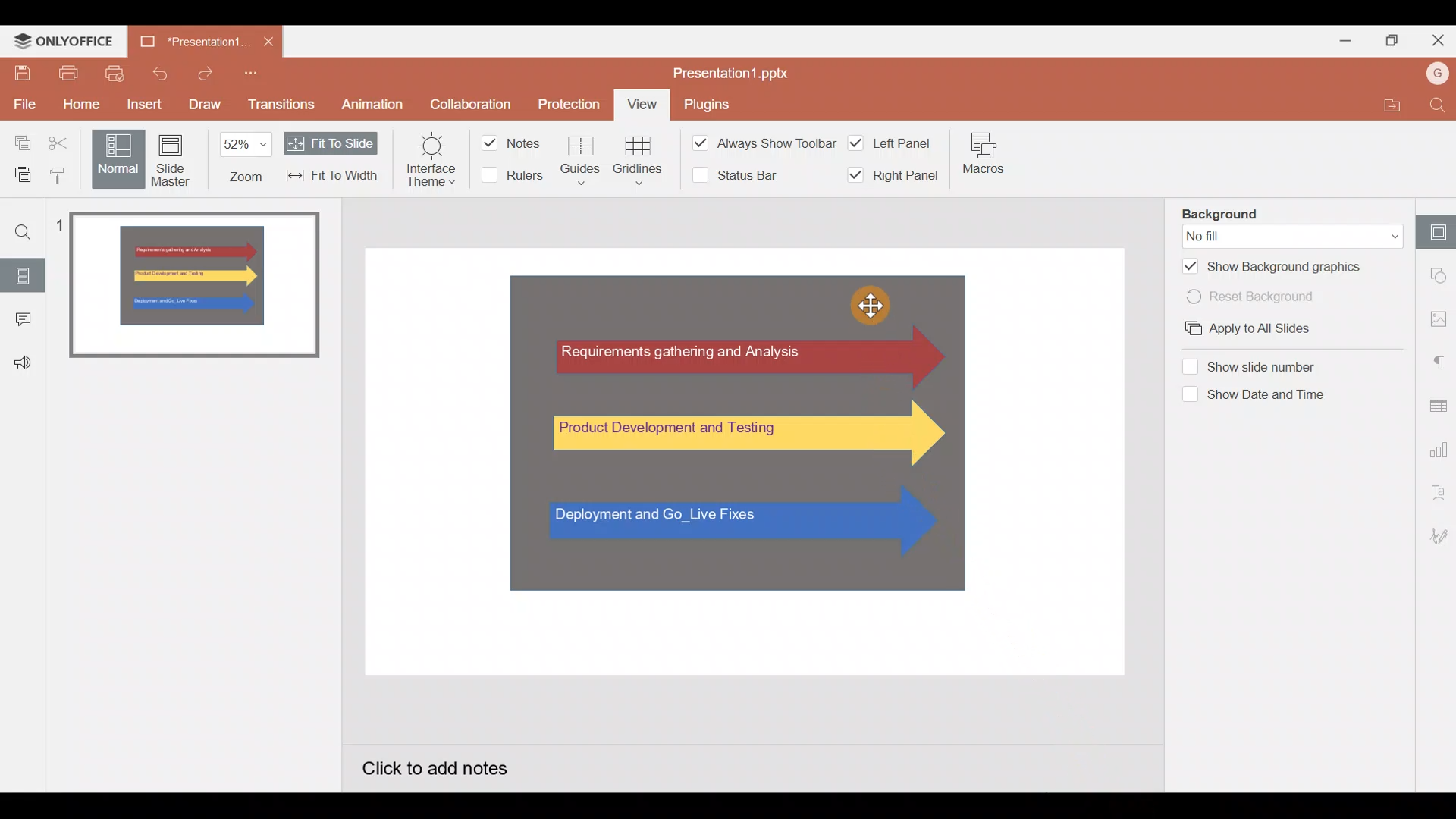  I want to click on Close, so click(268, 42).